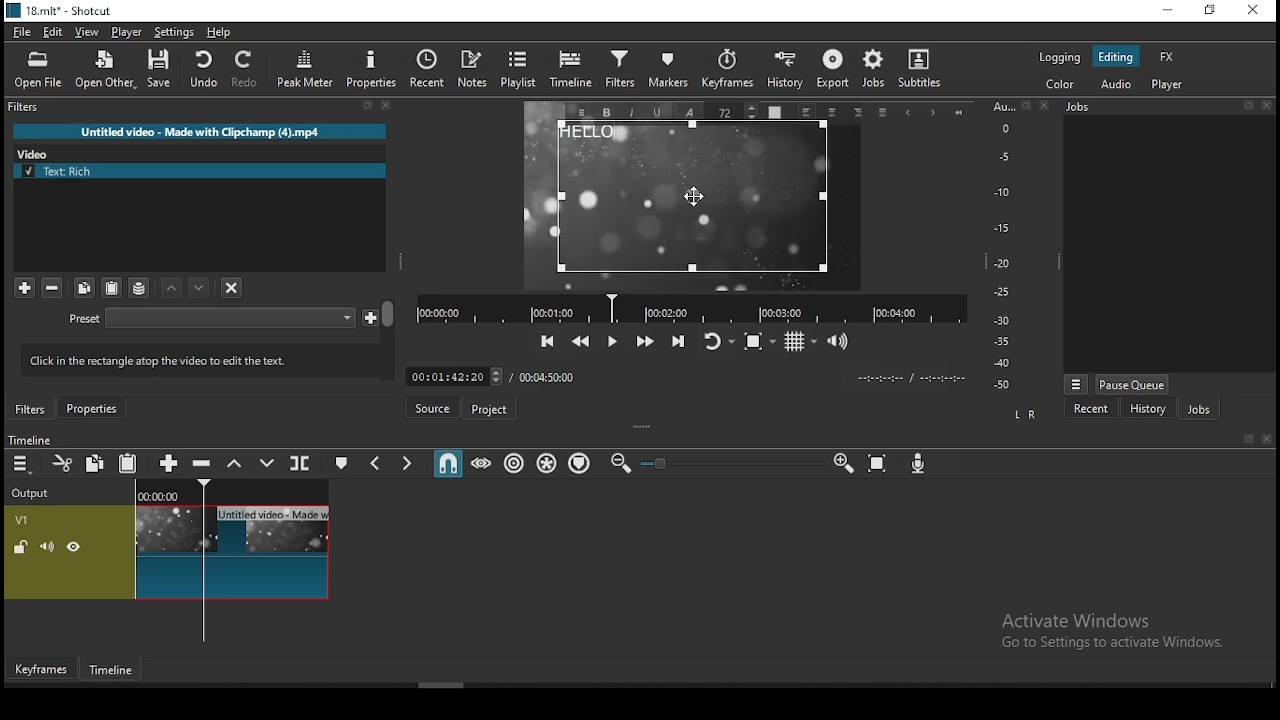 This screenshot has width=1280, height=720. Describe the element at coordinates (799, 342) in the screenshot. I see `toggle grids display` at that location.